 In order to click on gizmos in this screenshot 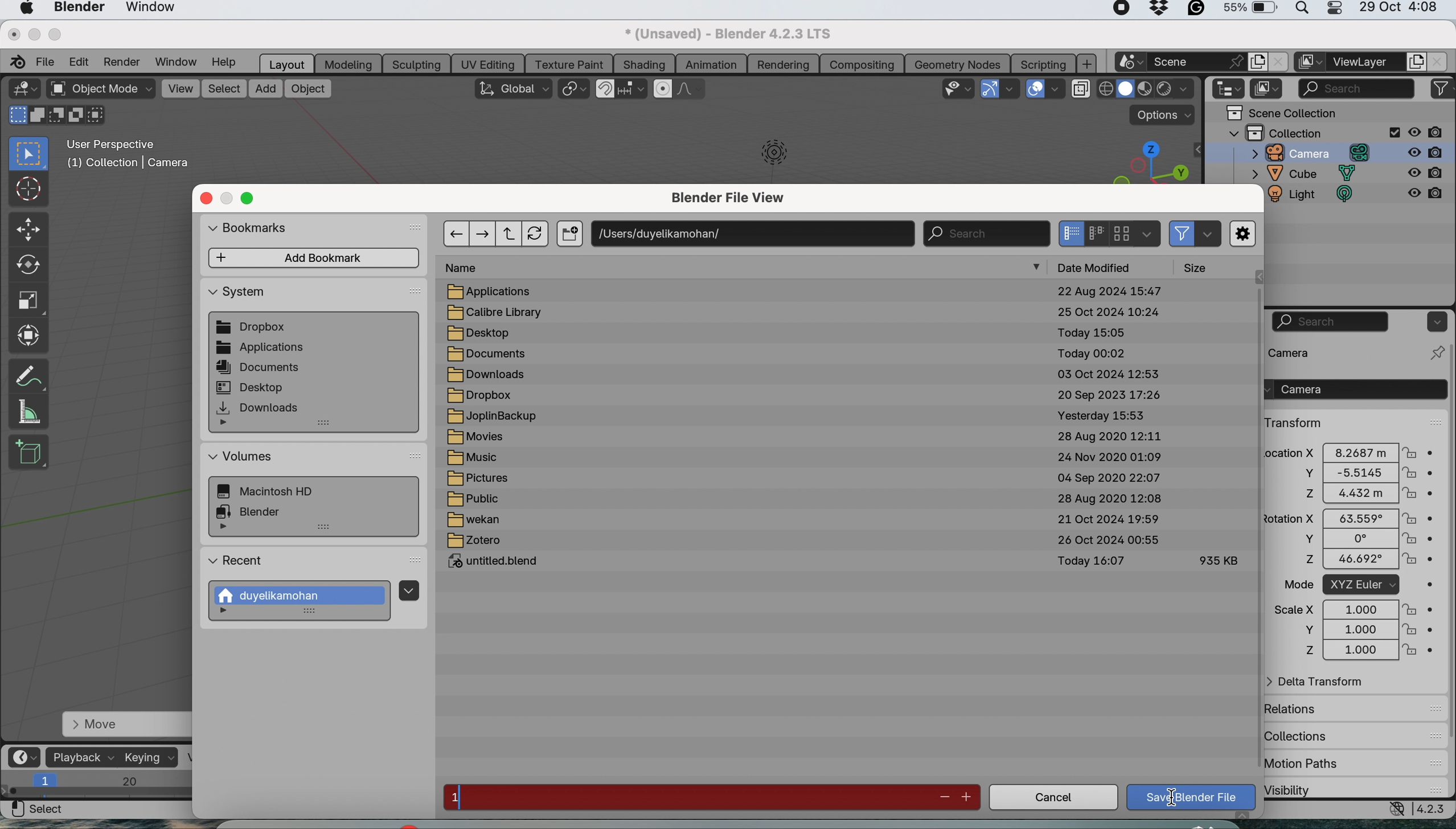, I will do `click(1012, 89)`.